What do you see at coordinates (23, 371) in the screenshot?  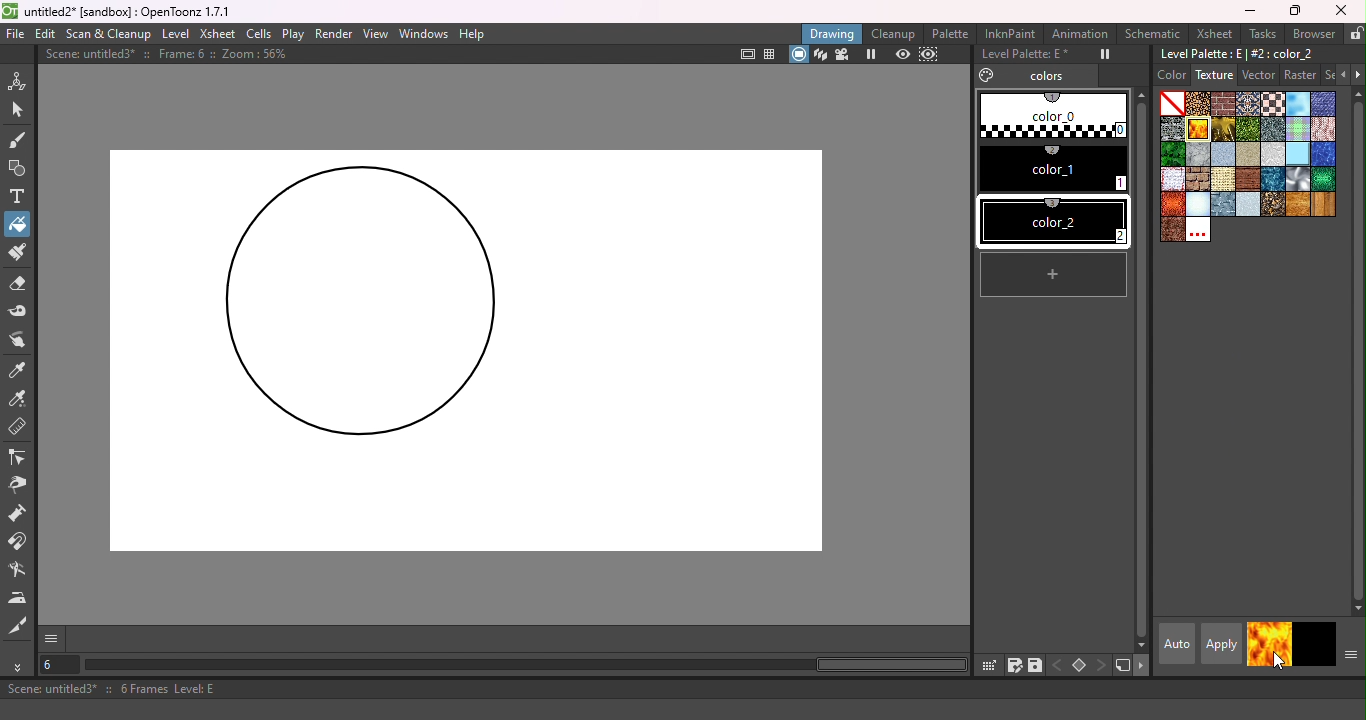 I see `Style picker tool` at bounding box center [23, 371].